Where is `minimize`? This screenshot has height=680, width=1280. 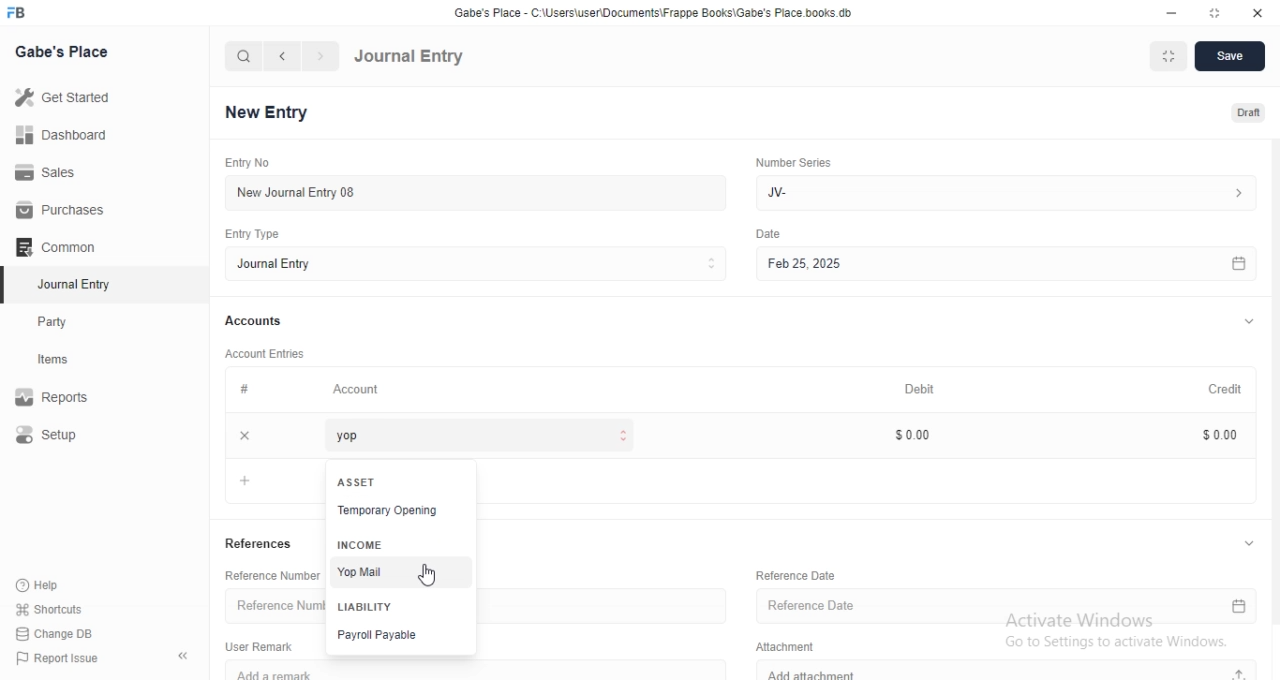 minimize is located at coordinates (1174, 11).